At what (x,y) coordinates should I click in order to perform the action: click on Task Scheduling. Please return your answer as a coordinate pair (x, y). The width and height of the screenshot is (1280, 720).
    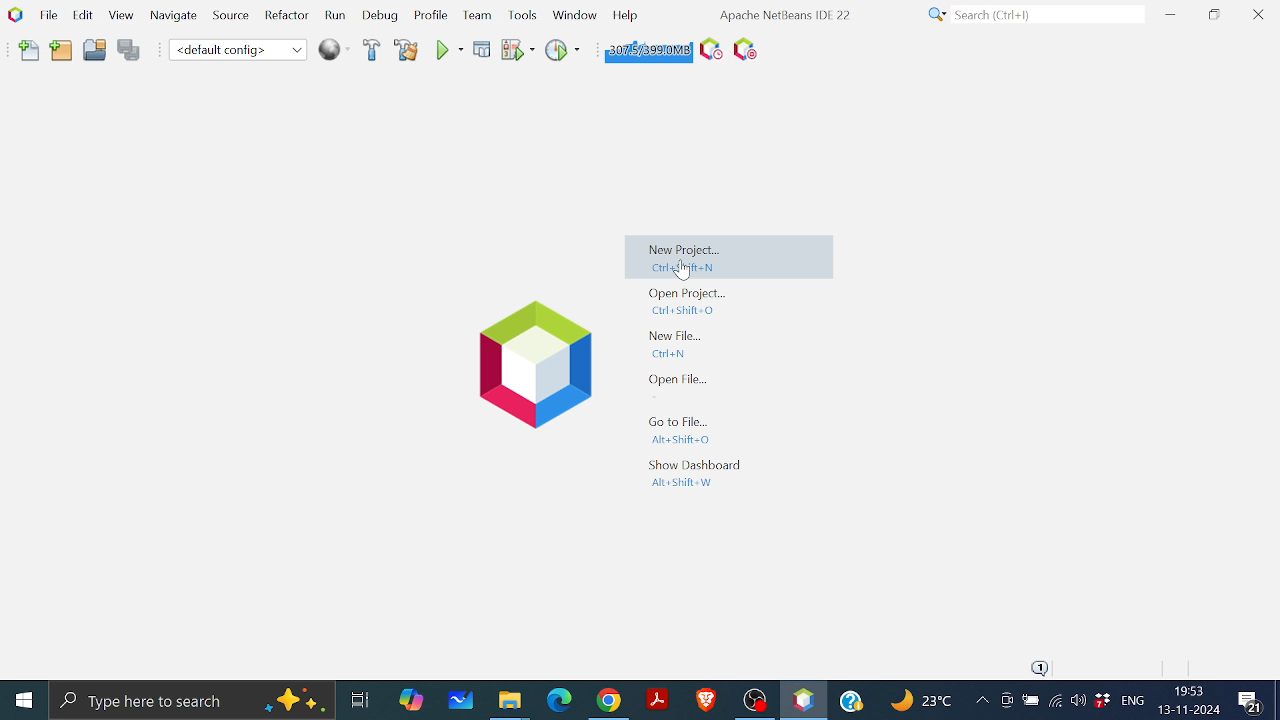
    Looking at the image, I should click on (708, 50).